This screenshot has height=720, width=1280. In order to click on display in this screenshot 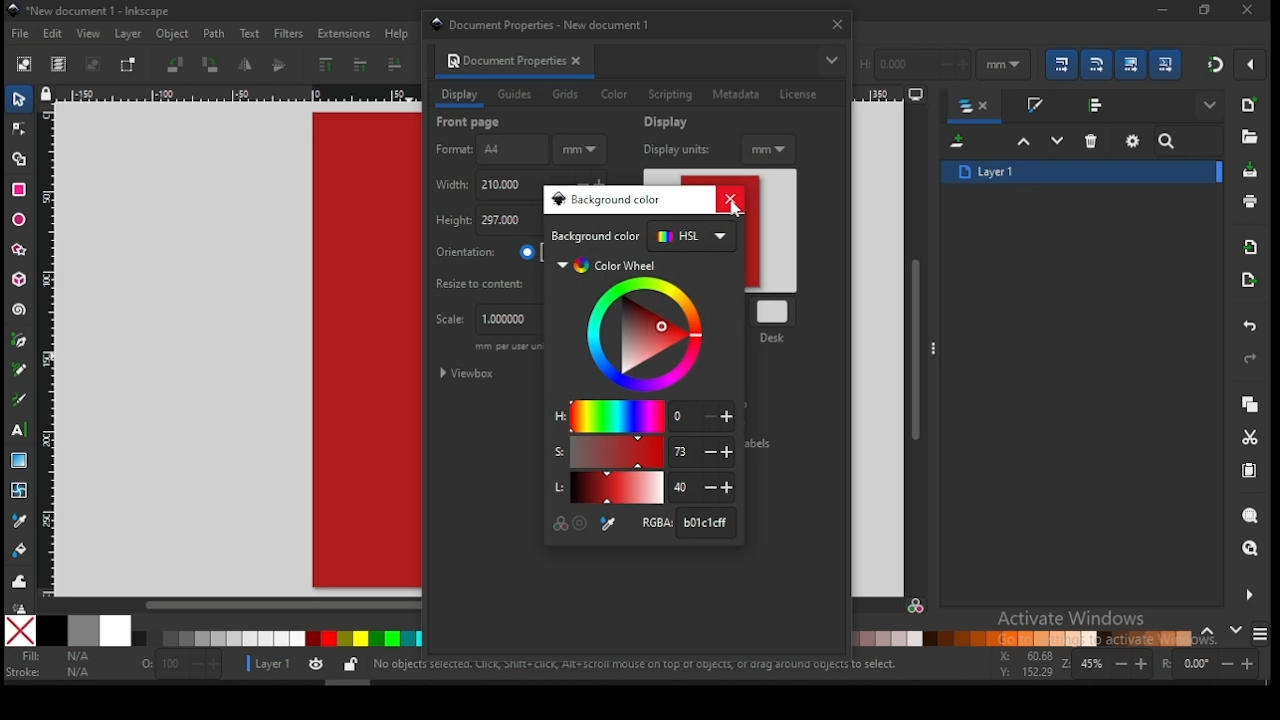, I will do `click(459, 95)`.